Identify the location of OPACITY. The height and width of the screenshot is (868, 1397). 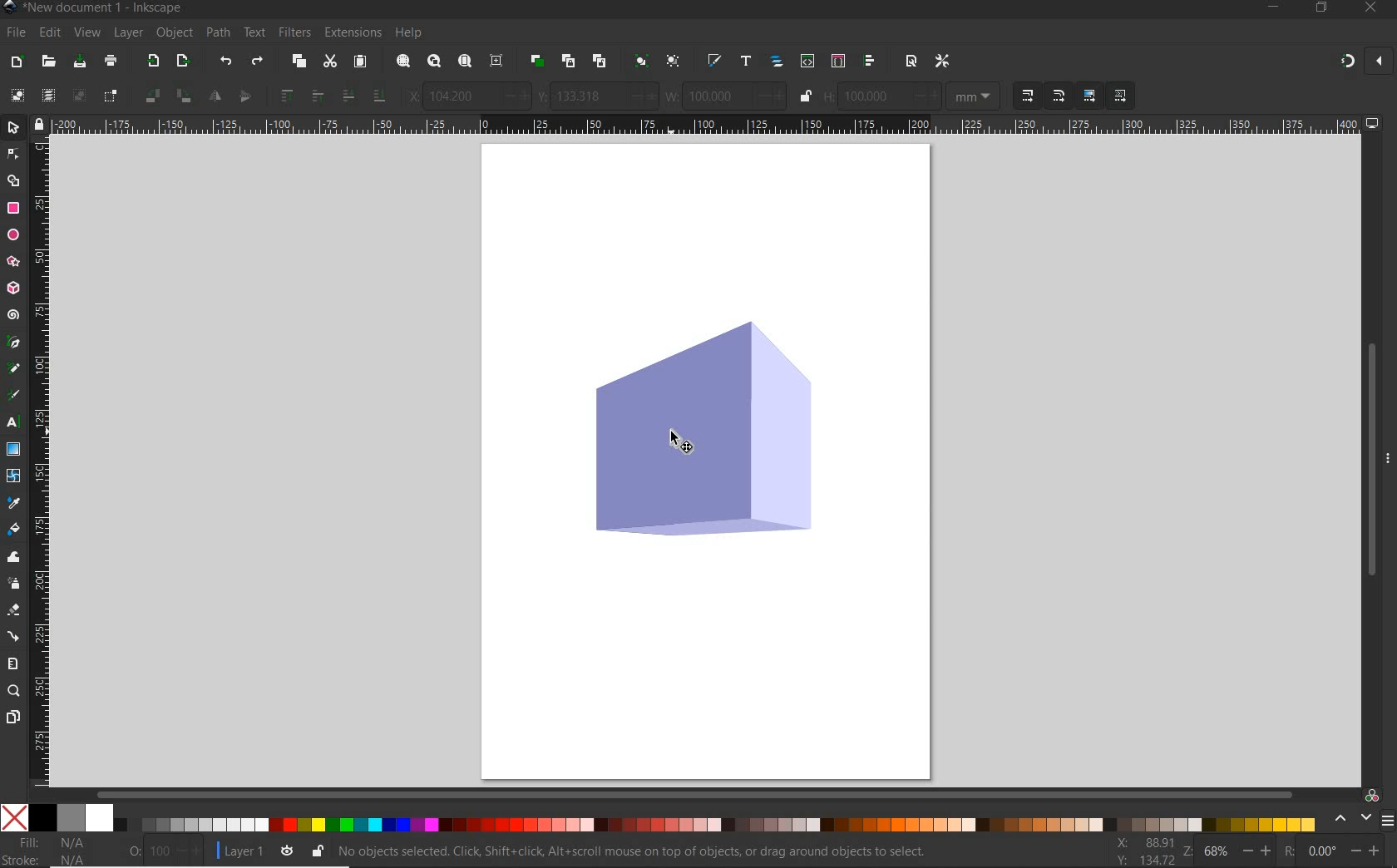
(132, 849).